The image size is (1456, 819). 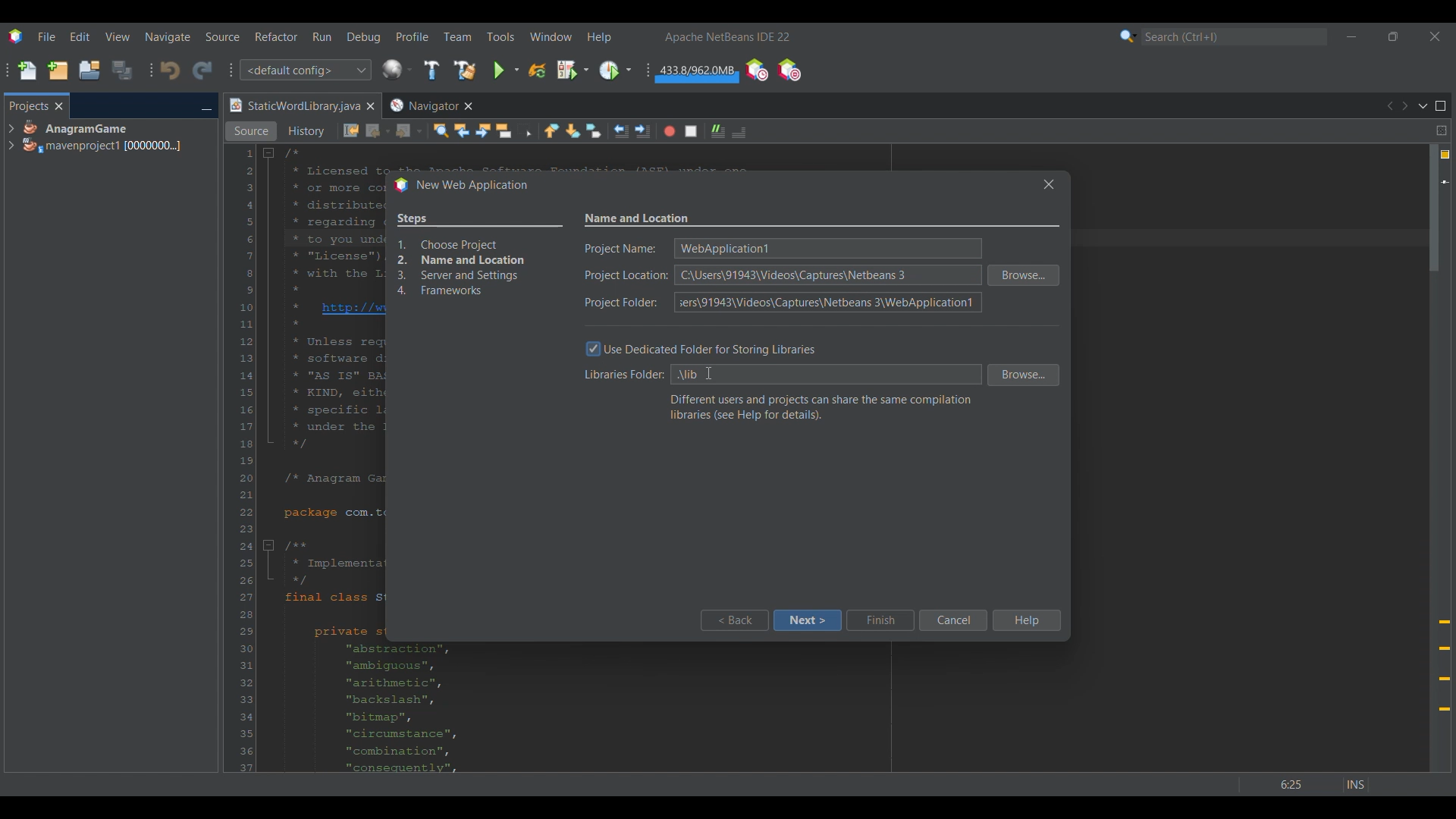 What do you see at coordinates (880, 620) in the screenshot?
I see `Finish` at bounding box center [880, 620].